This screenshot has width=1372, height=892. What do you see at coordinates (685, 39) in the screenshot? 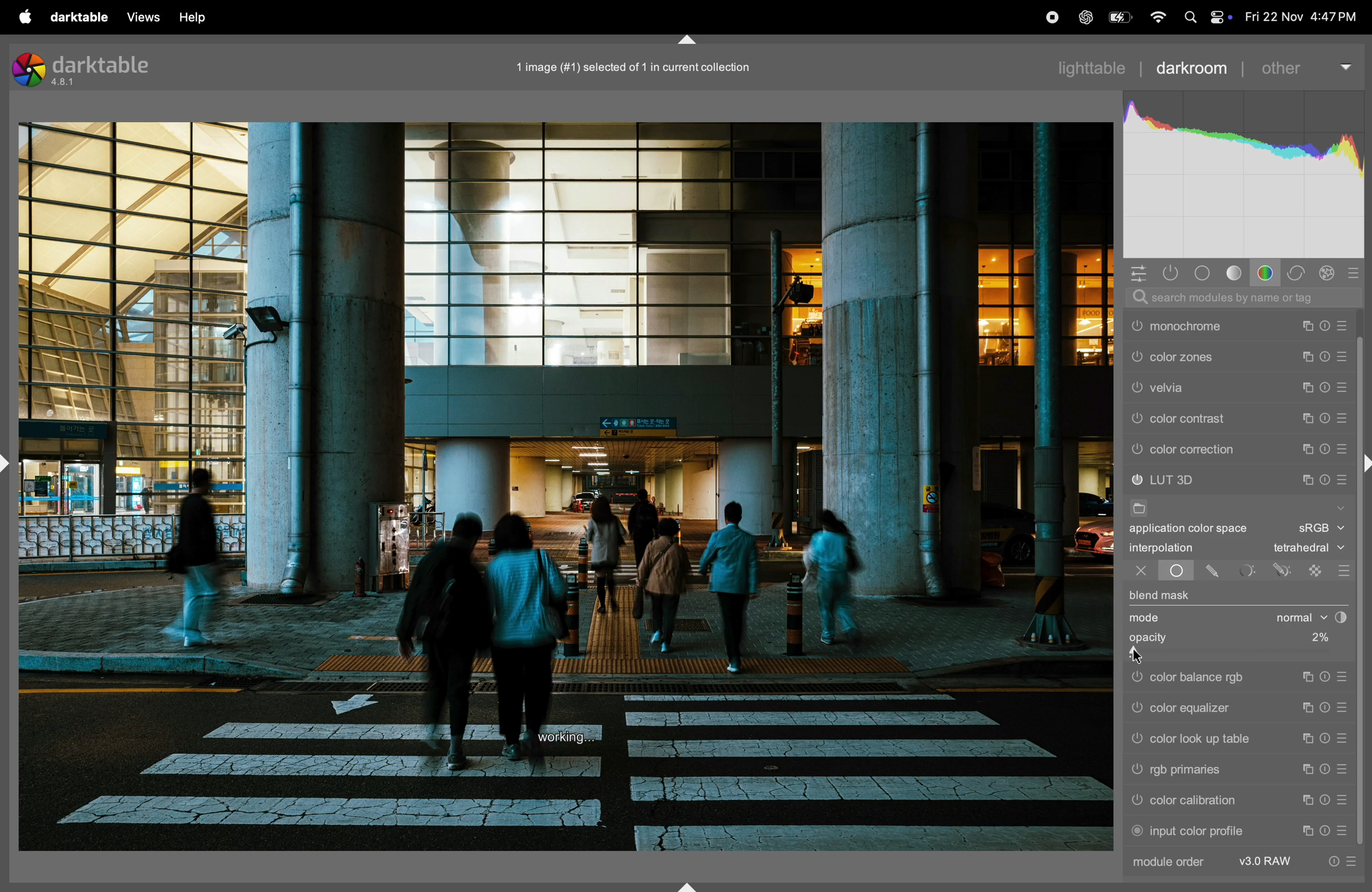
I see `shift+ctrl+t` at bounding box center [685, 39].